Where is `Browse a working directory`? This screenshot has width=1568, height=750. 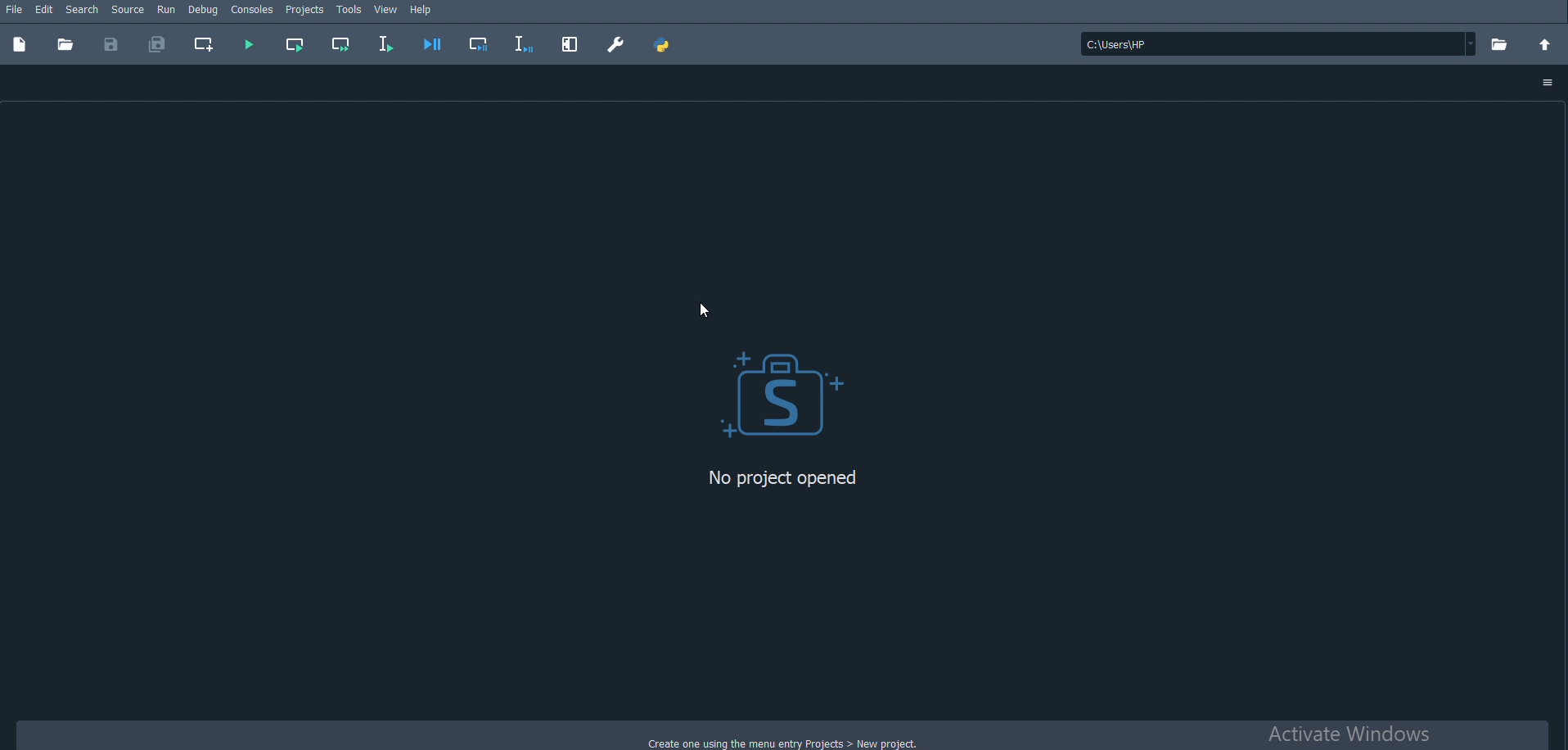
Browse a working directory is located at coordinates (1500, 44).